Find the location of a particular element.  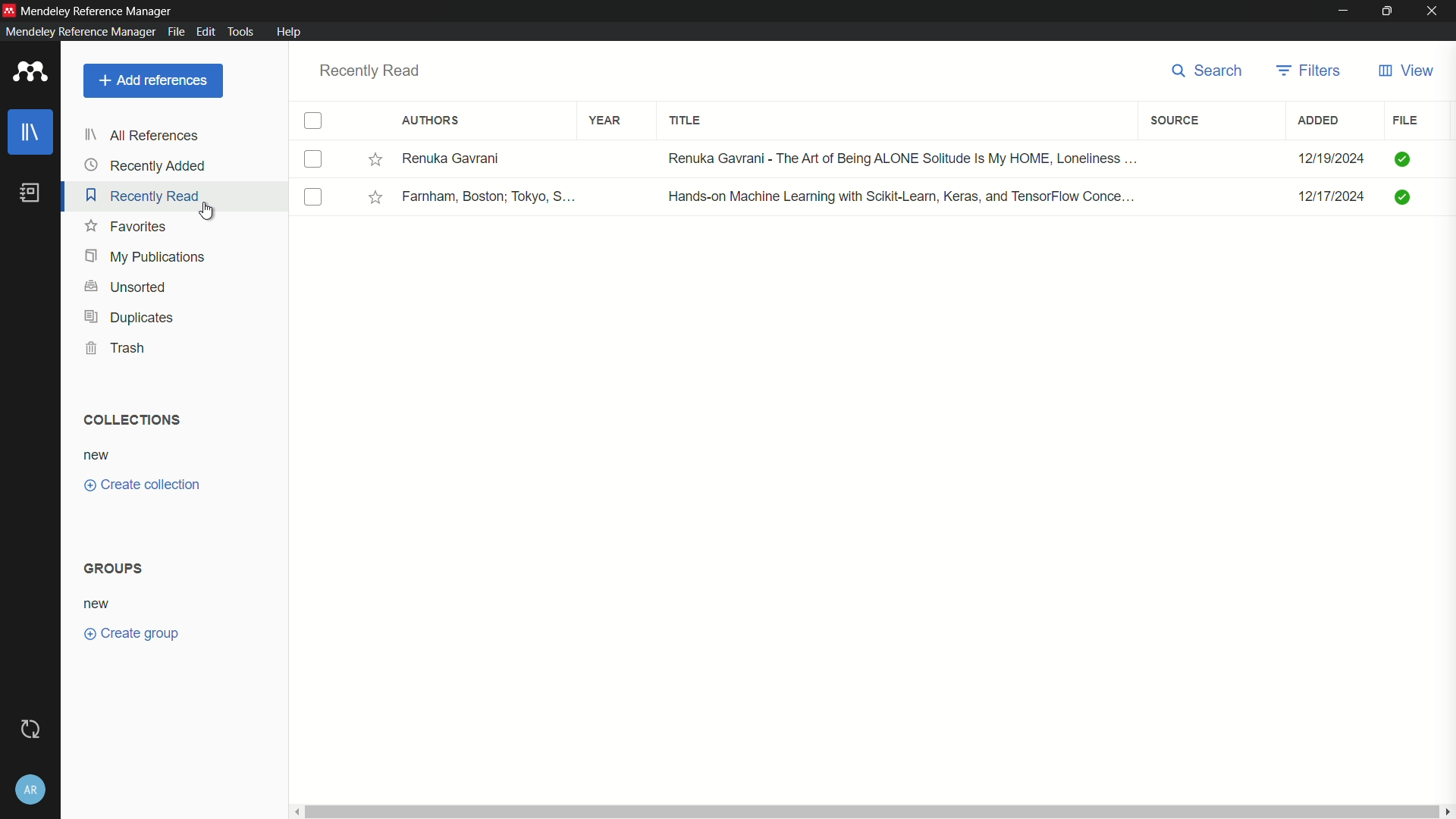

create group is located at coordinates (132, 633).